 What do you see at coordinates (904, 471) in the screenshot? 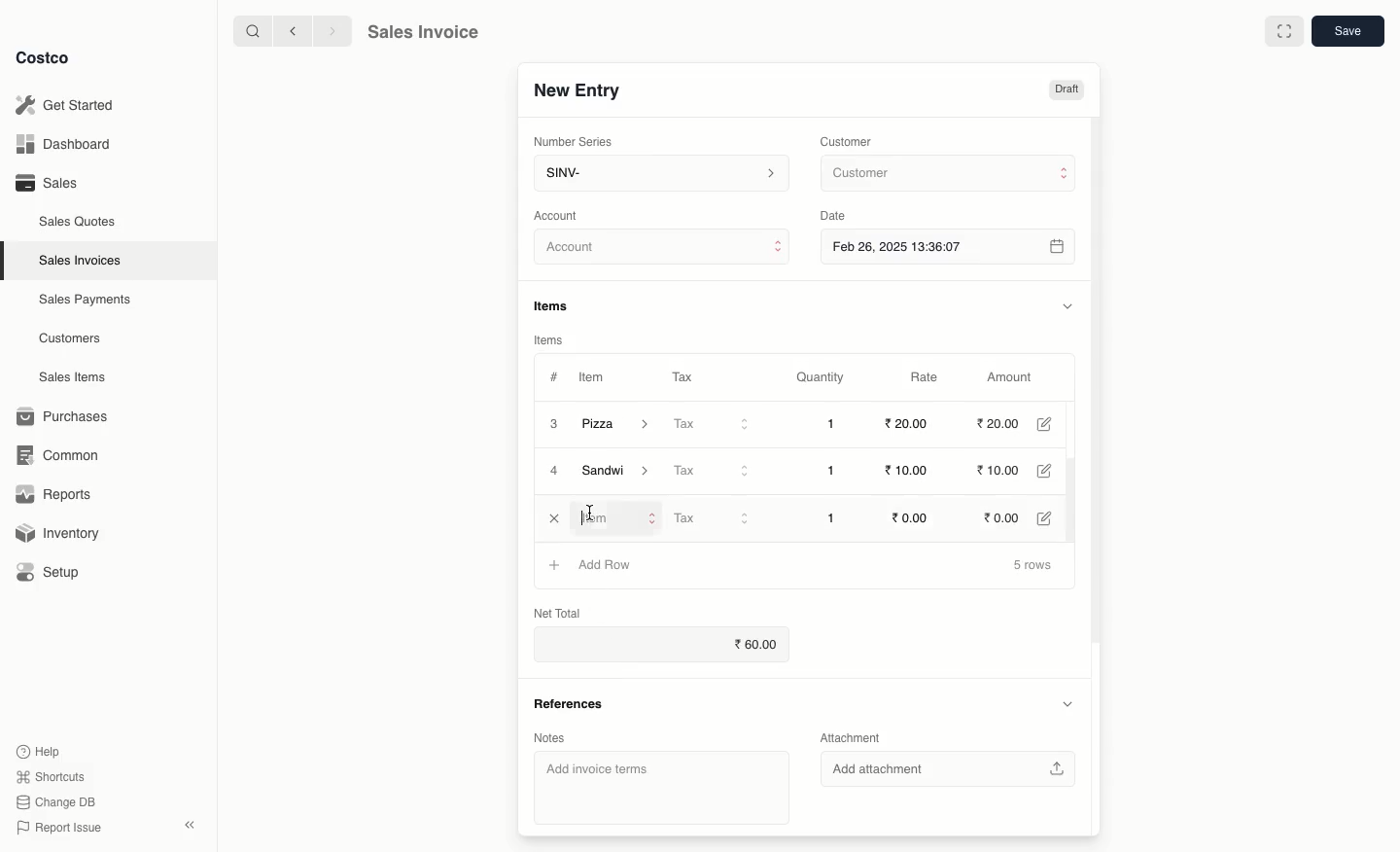
I see `10.00` at bounding box center [904, 471].